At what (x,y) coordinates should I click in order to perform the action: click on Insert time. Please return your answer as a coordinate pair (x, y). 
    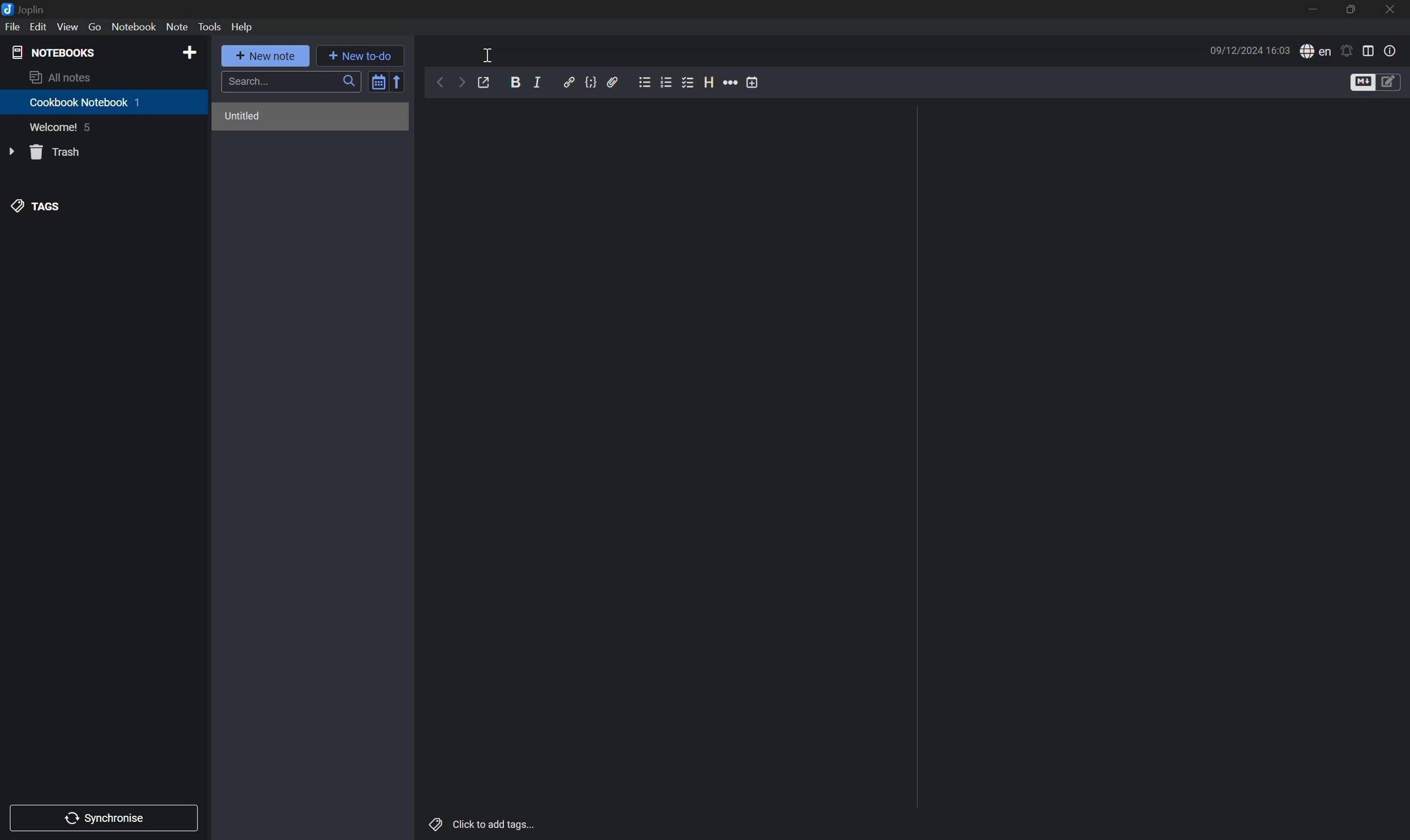
    Looking at the image, I should click on (752, 82).